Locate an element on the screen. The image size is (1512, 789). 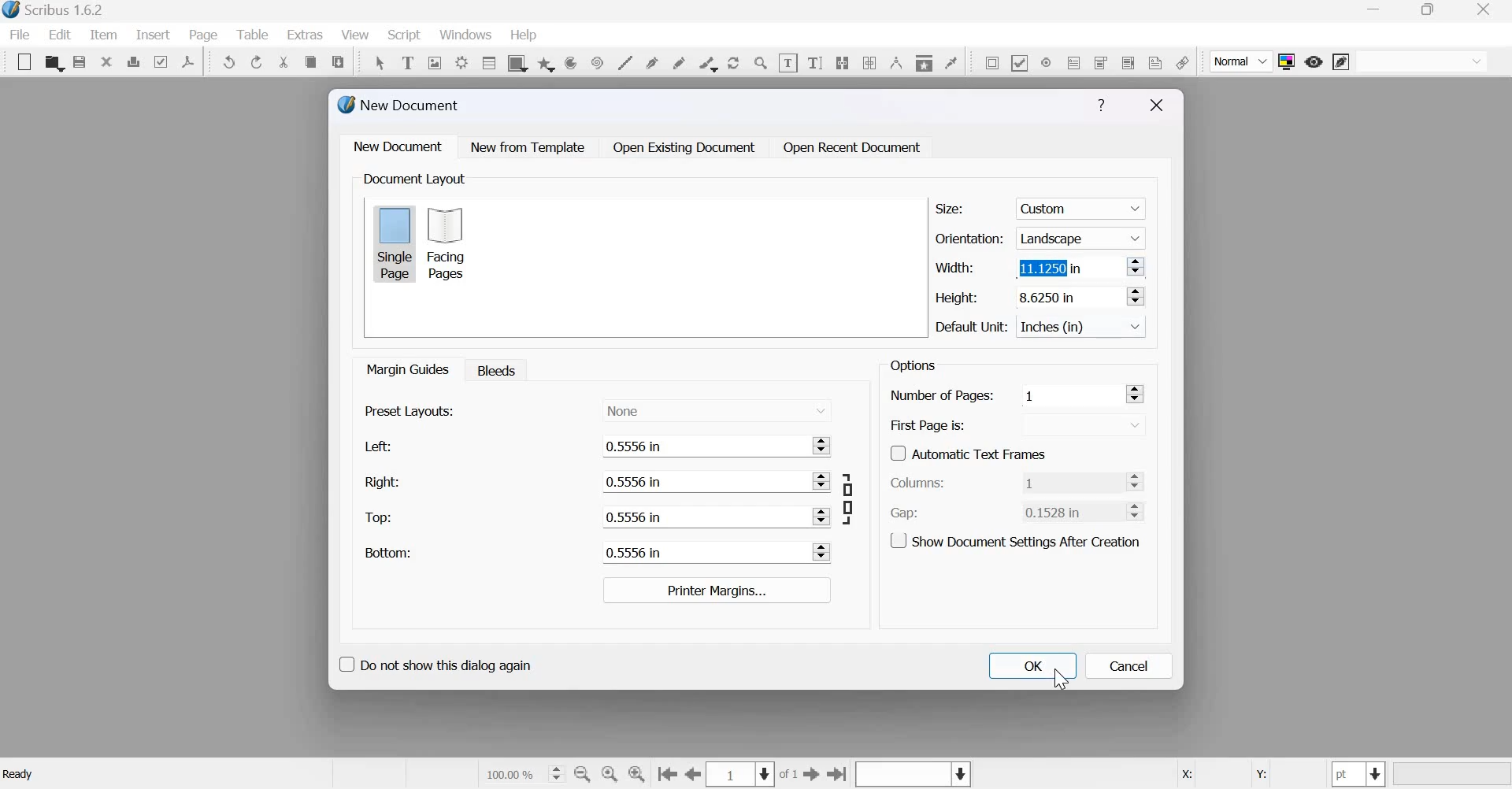
PDF radio button is located at coordinates (1045, 61).